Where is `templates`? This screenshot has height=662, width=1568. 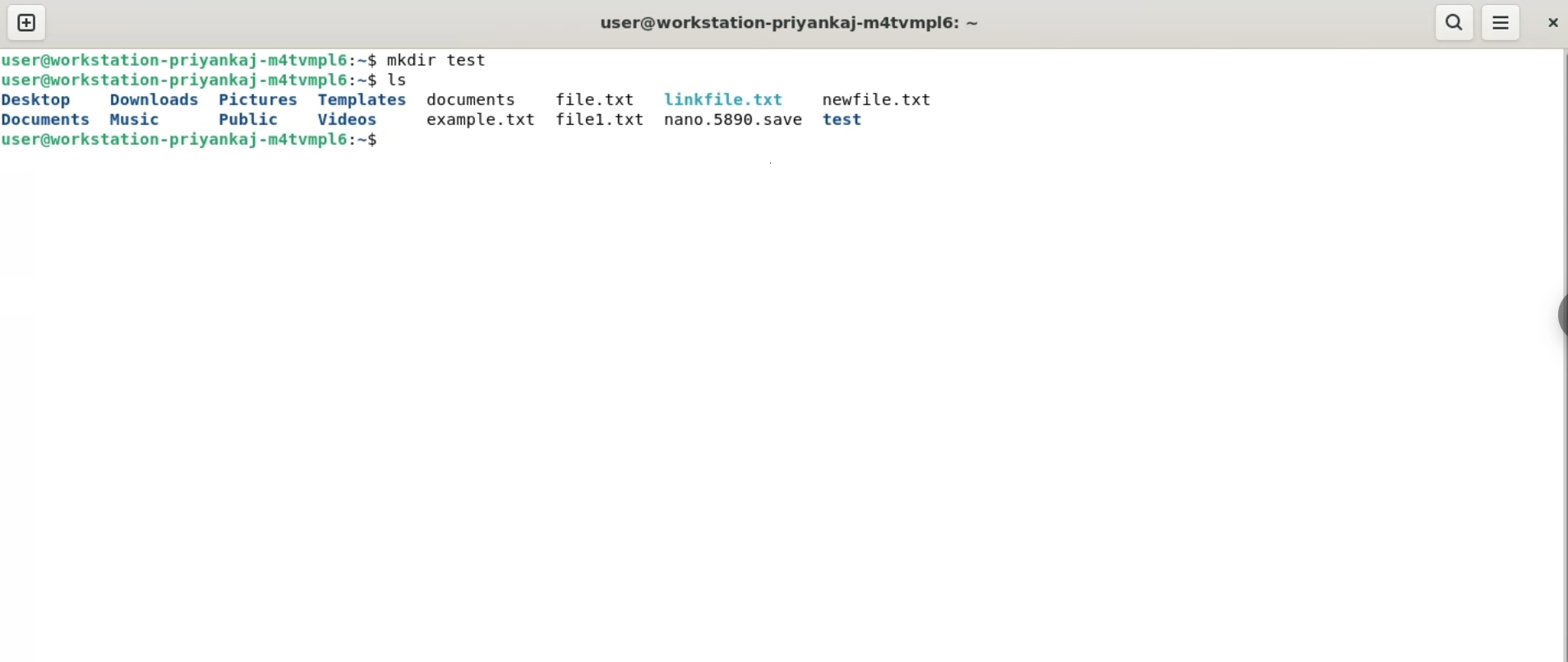
templates is located at coordinates (364, 100).